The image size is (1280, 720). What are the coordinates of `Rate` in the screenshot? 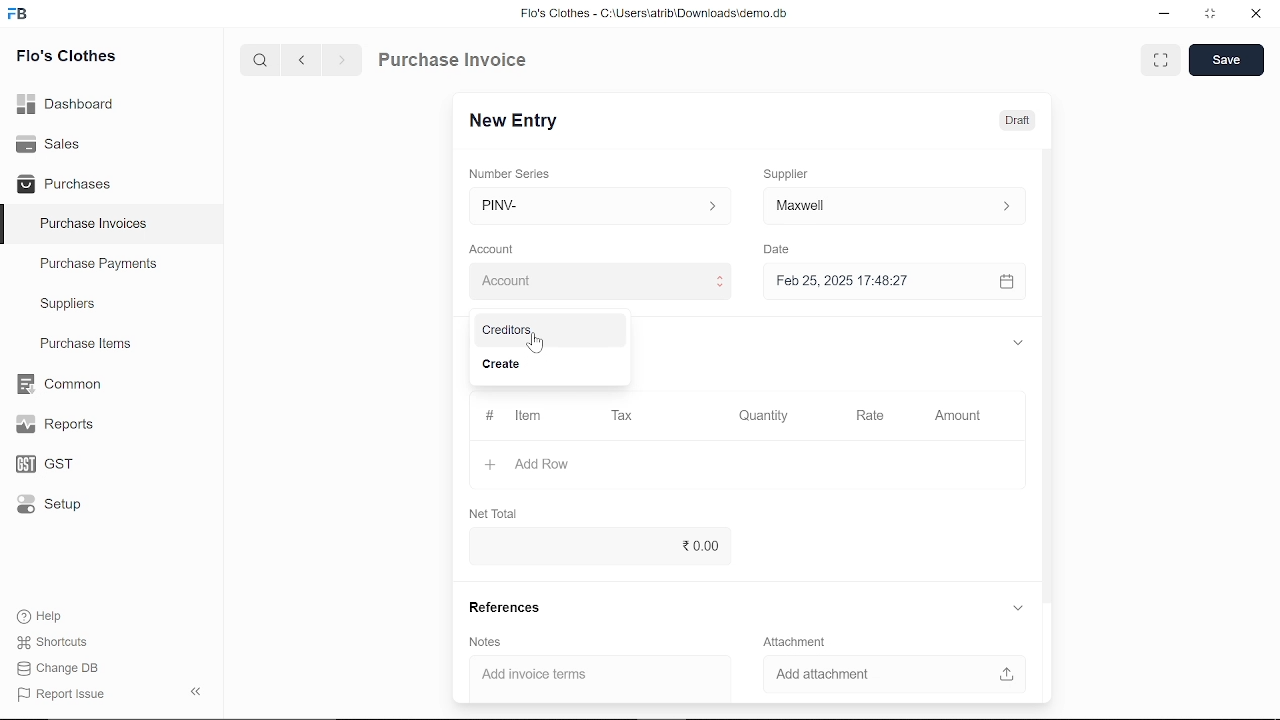 It's located at (879, 414).